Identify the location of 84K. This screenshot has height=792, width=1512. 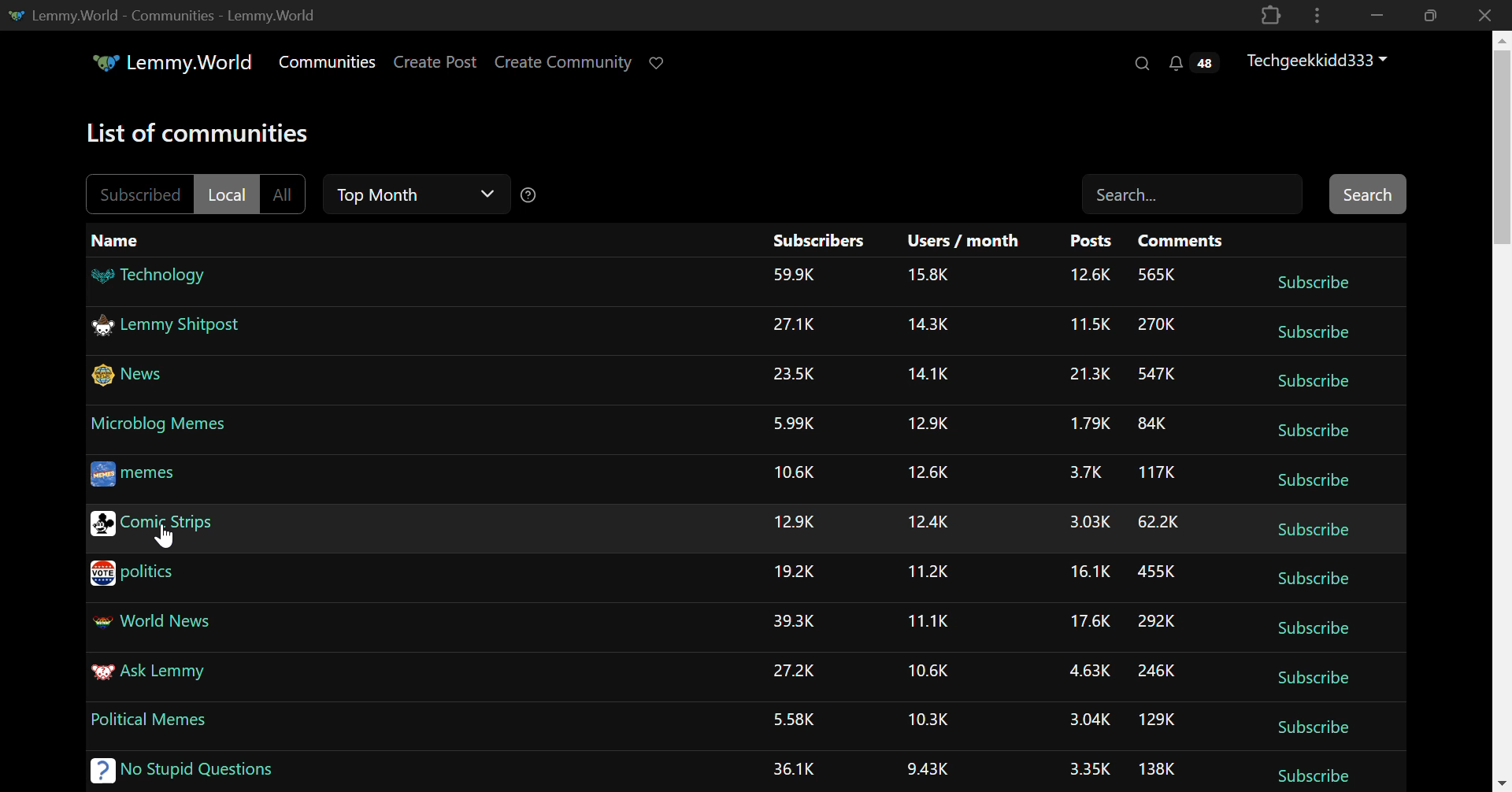
(1156, 425).